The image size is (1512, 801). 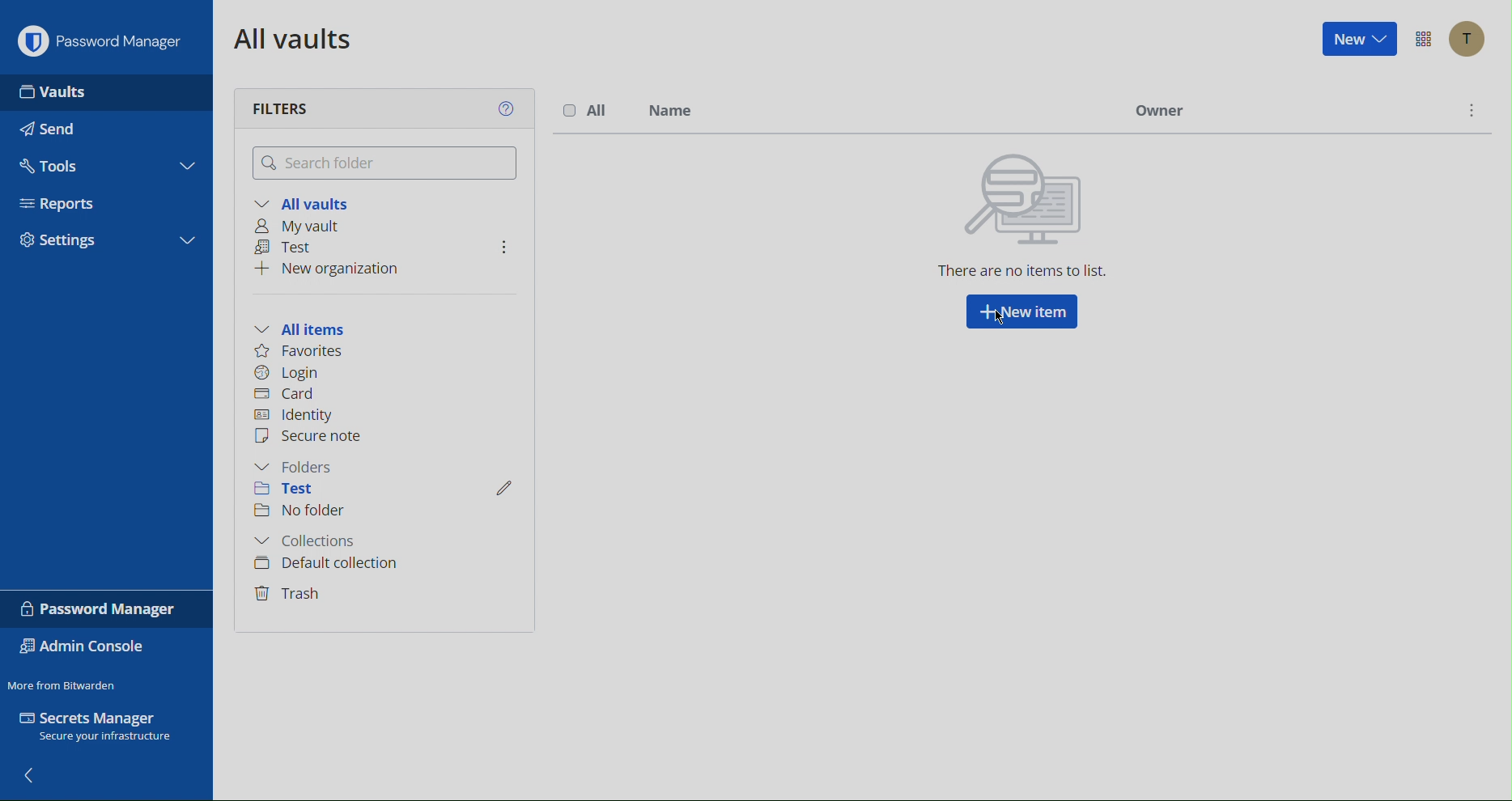 I want to click on Secrets Manager, so click(x=99, y=724).